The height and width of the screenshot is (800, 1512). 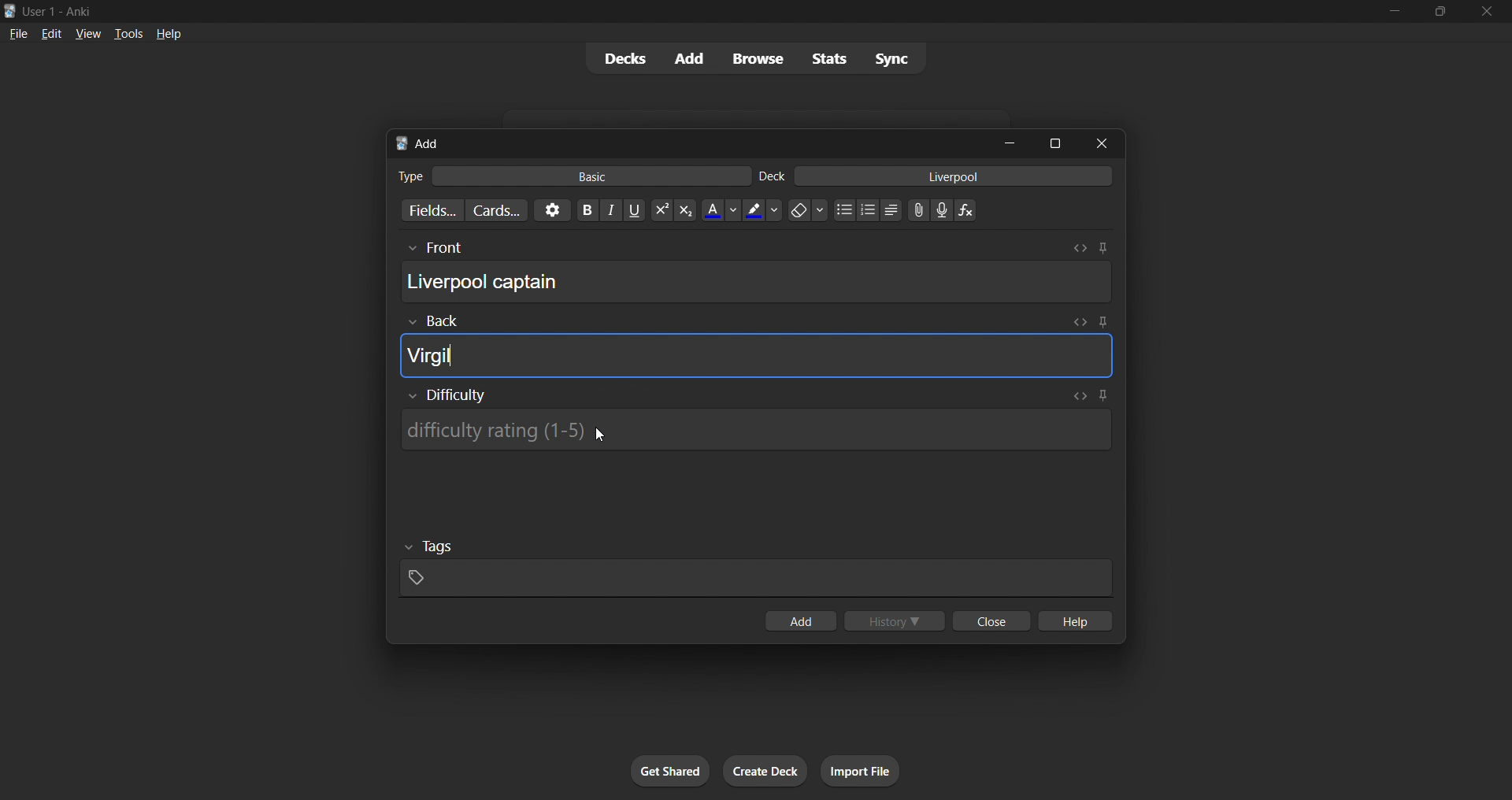 What do you see at coordinates (756, 579) in the screenshot?
I see `card tags input` at bounding box center [756, 579].